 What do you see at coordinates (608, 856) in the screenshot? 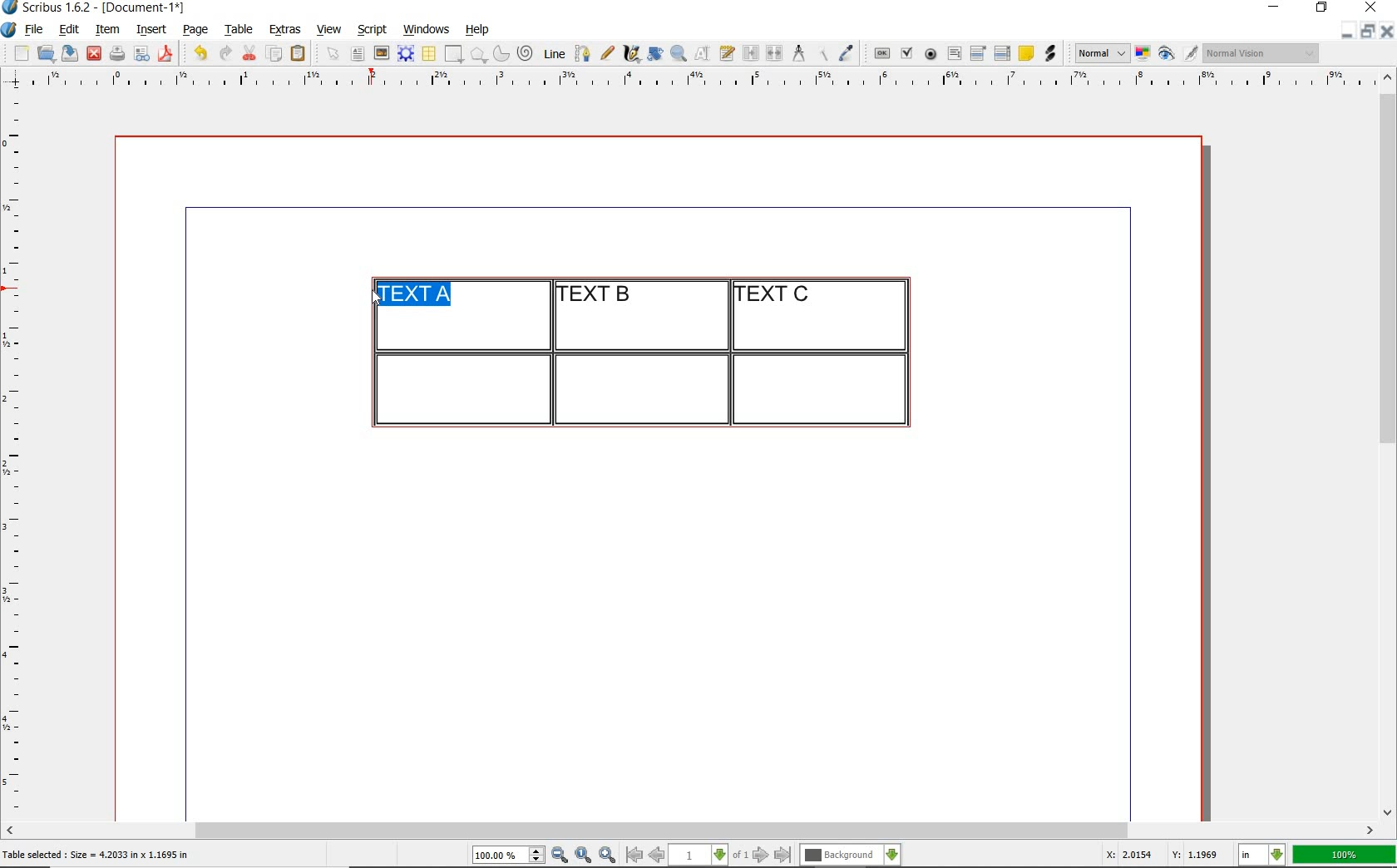
I see `zoom in` at bounding box center [608, 856].